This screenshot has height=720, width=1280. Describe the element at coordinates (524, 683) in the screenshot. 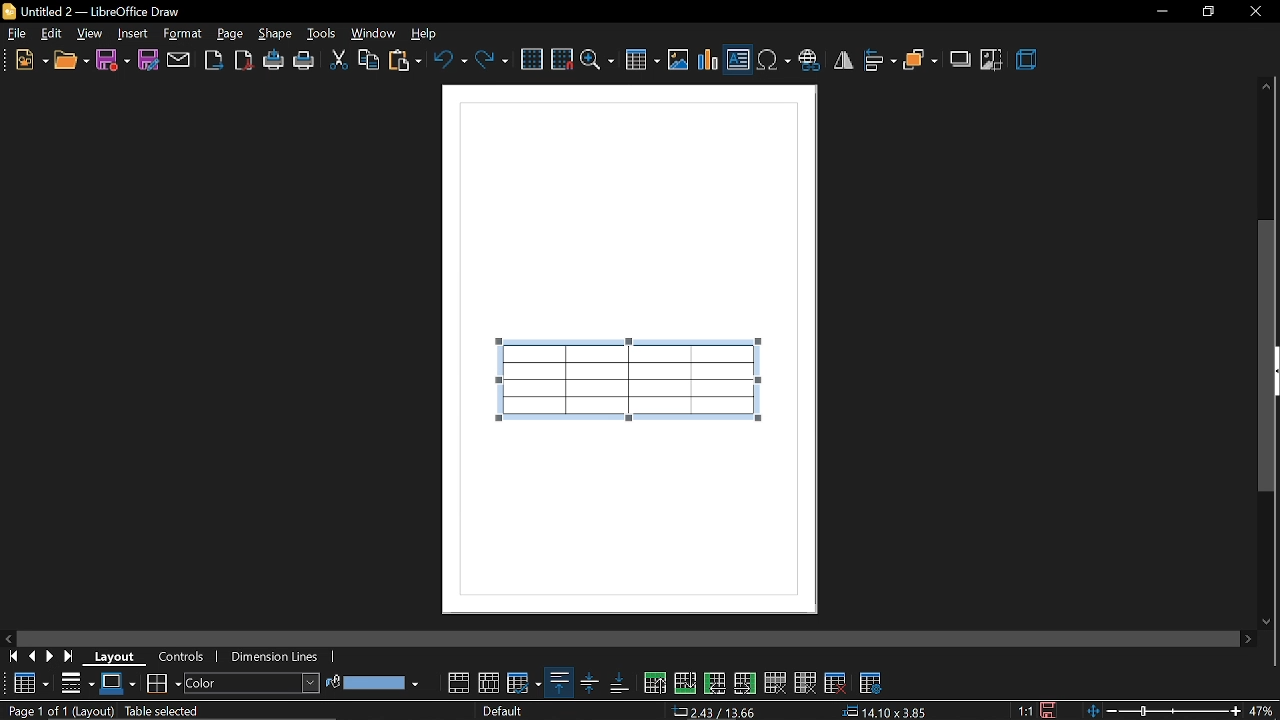

I see `optimize` at that location.